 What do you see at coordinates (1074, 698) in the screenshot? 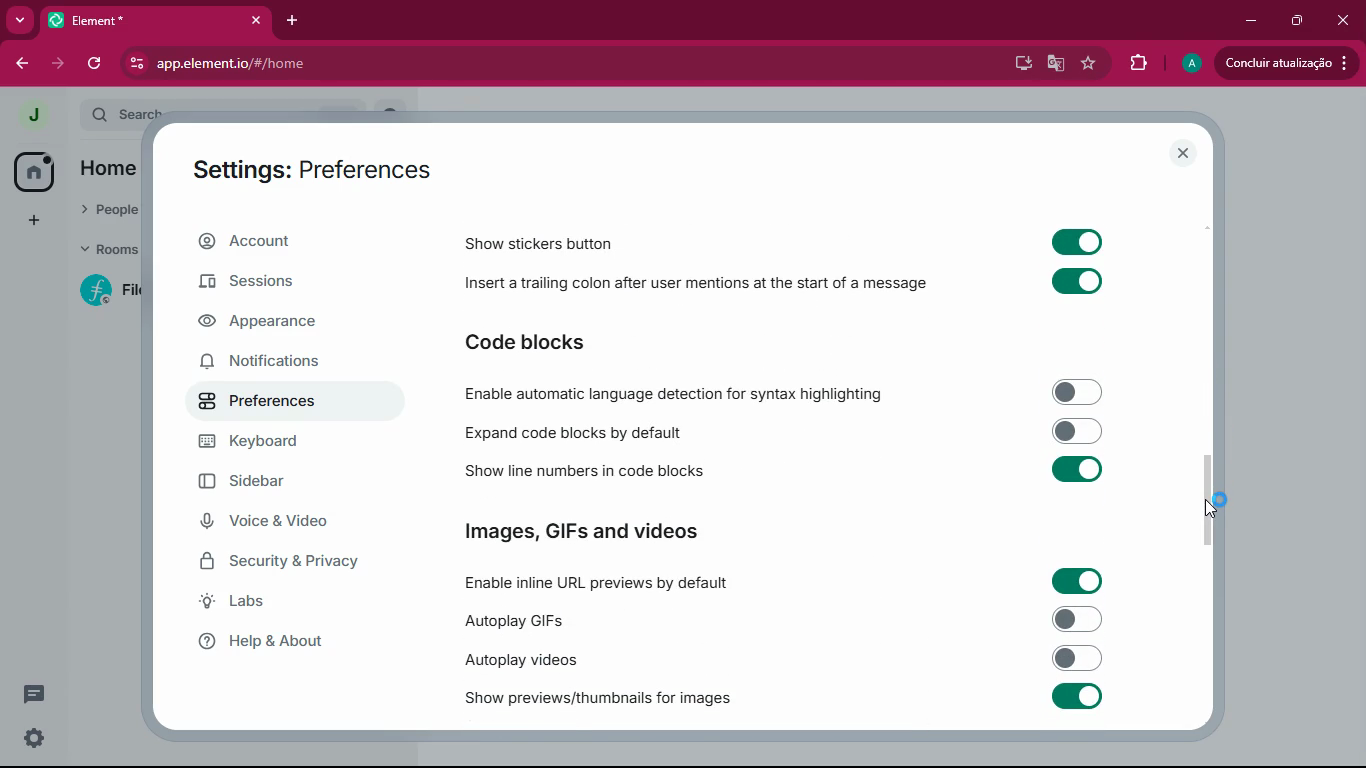
I see `Toggle on` at bounding box center [1074, 698].